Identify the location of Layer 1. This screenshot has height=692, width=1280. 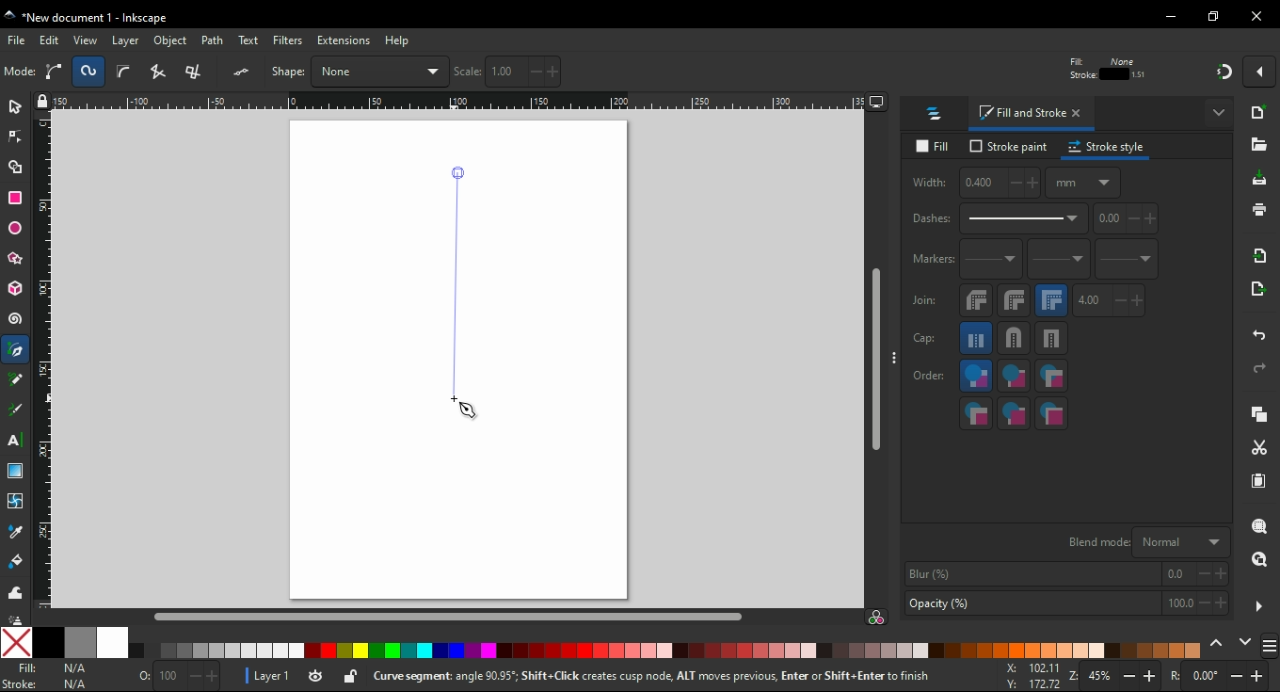
(275, 678).